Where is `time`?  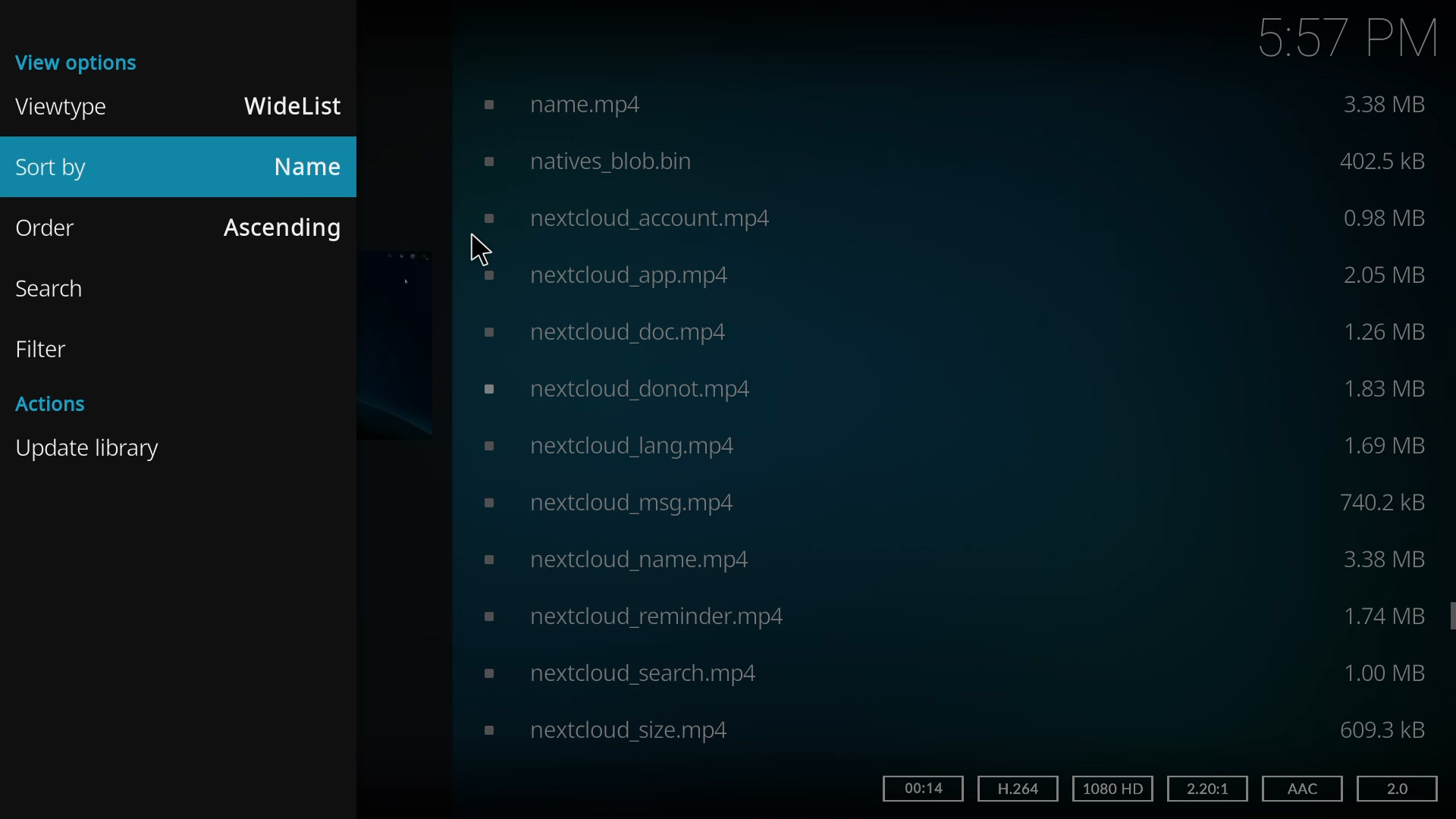 time is located at coordinates (1348, 36).